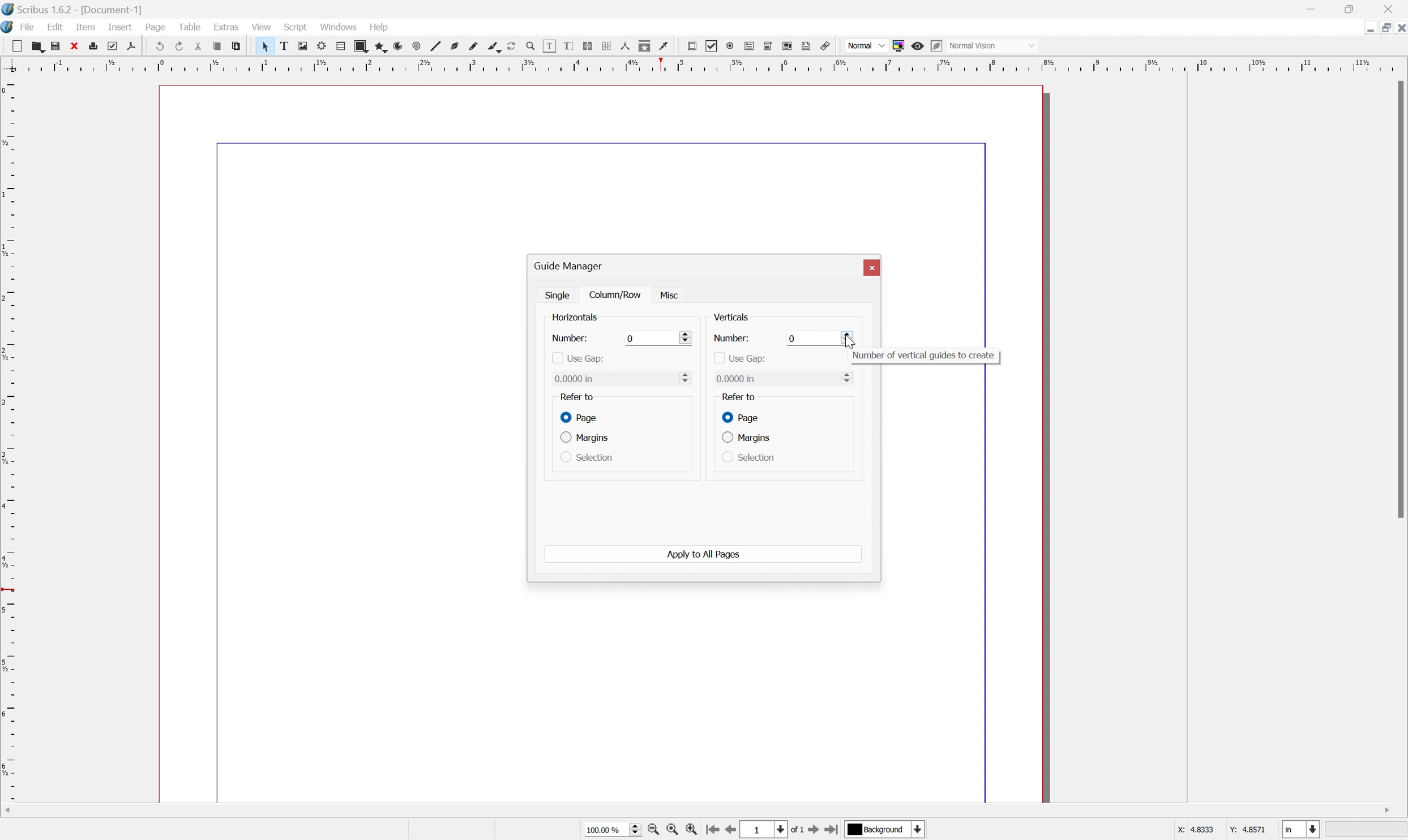  Describe the element at coordinates (179, 46) in the screenshot. I see `redo` at that location.